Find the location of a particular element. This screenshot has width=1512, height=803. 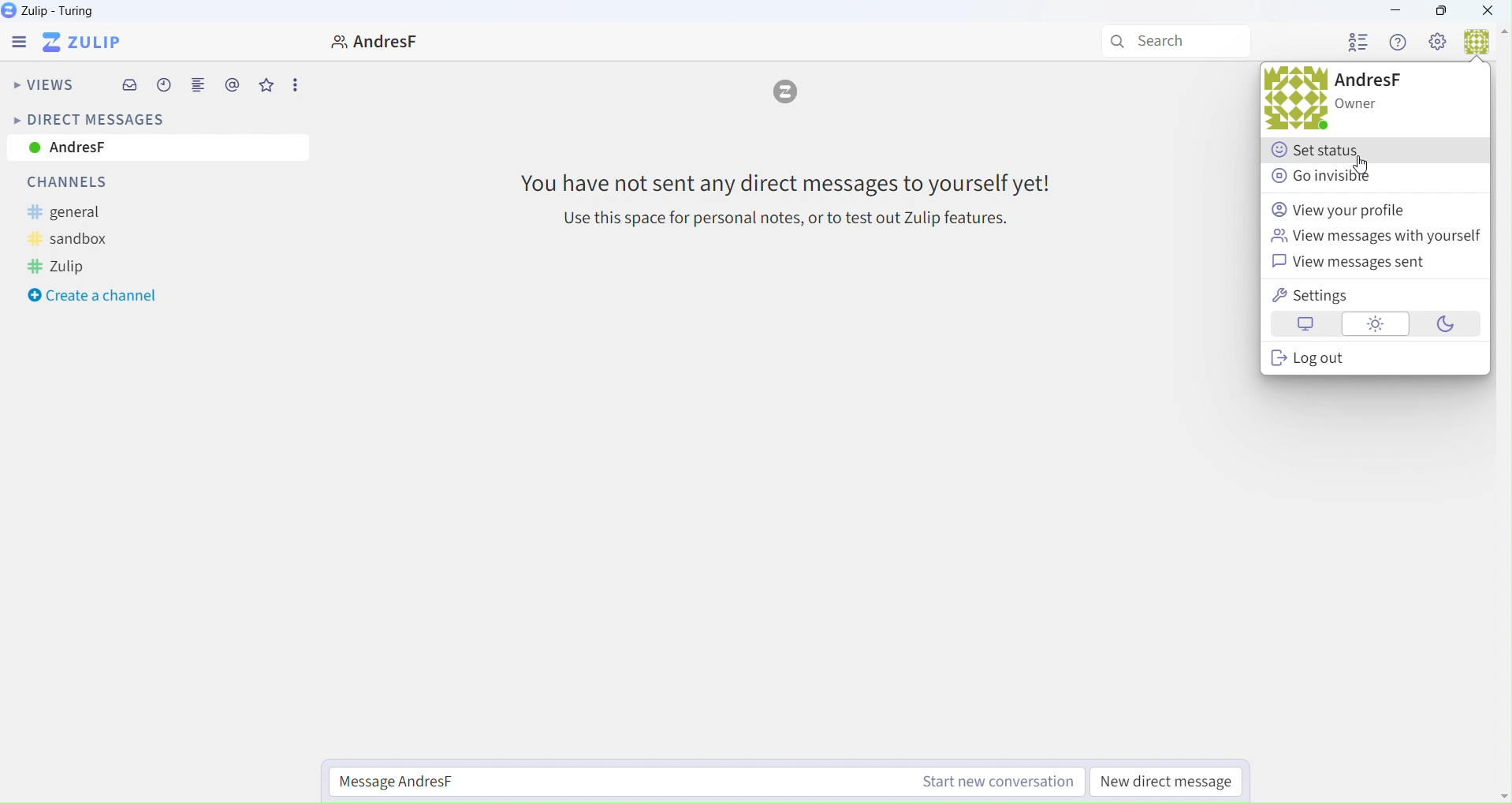

Set Status is located at coordinates (1320, 151).